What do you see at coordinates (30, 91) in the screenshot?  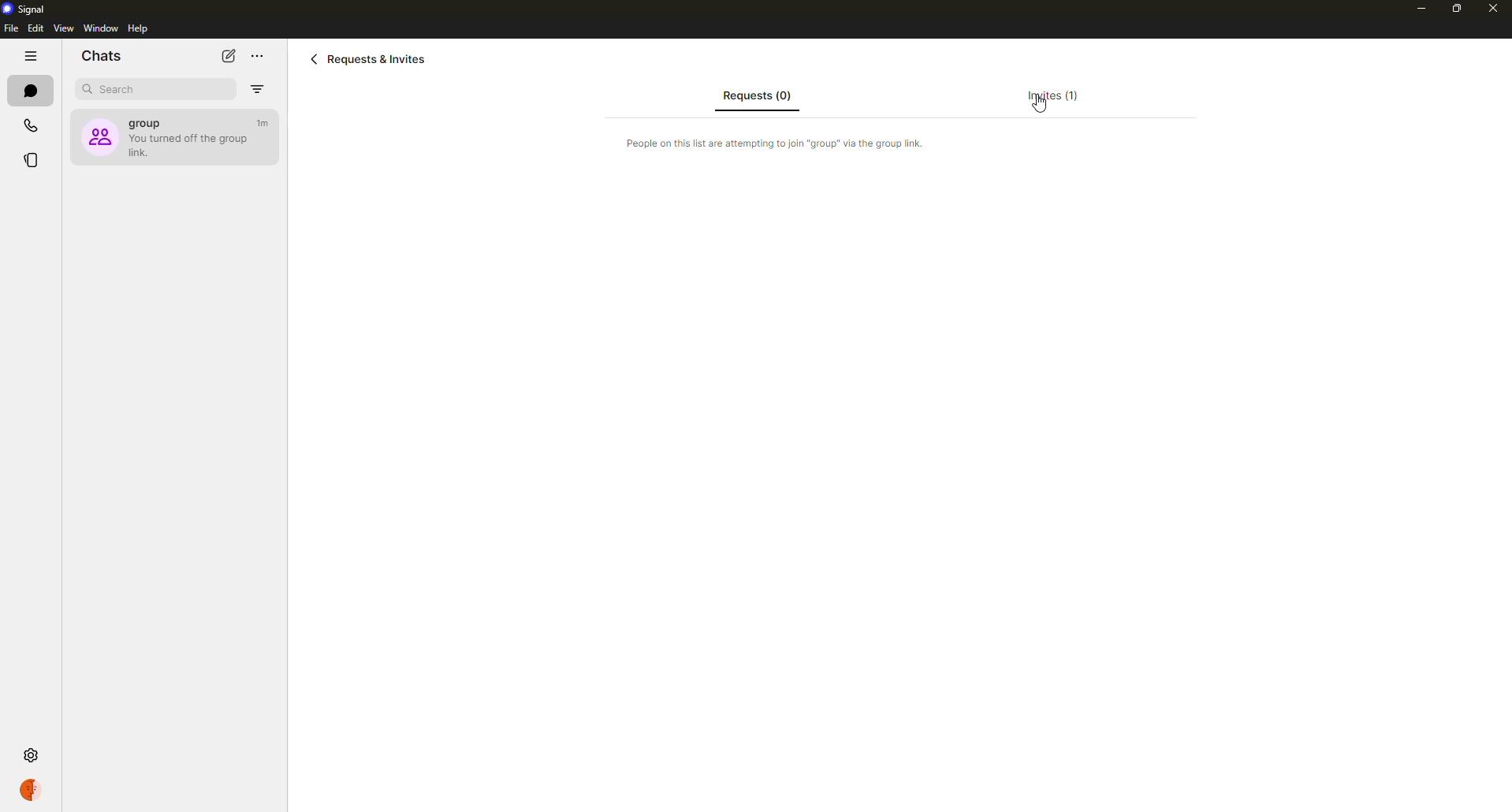 I see `chats` at bounding box center [30, 91].